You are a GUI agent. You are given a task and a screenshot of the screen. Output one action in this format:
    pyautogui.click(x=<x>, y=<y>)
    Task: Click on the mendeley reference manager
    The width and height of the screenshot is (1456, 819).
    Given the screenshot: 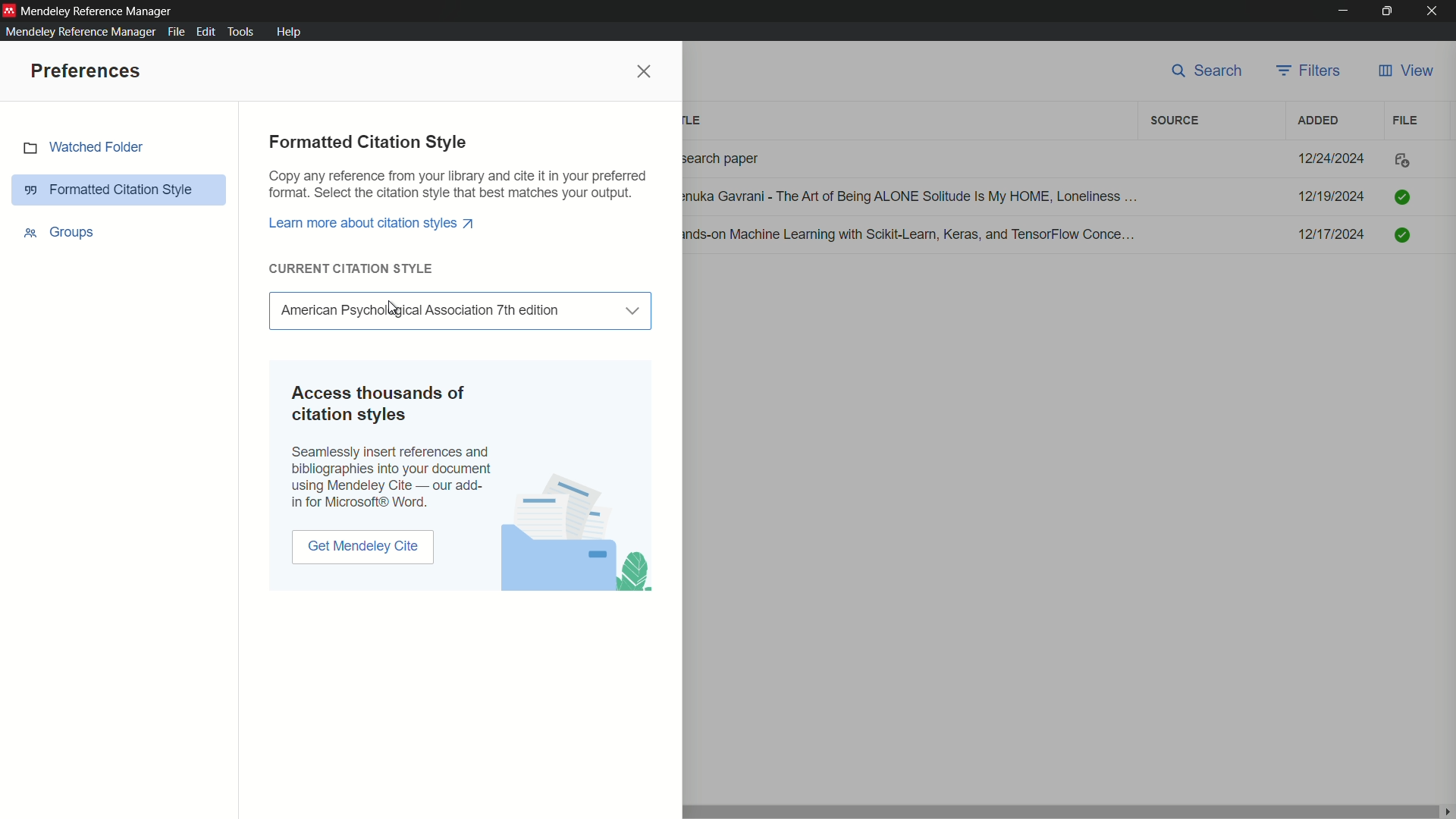 What is the action you would take?
    pyautogui.click(x=78, y=31)
    